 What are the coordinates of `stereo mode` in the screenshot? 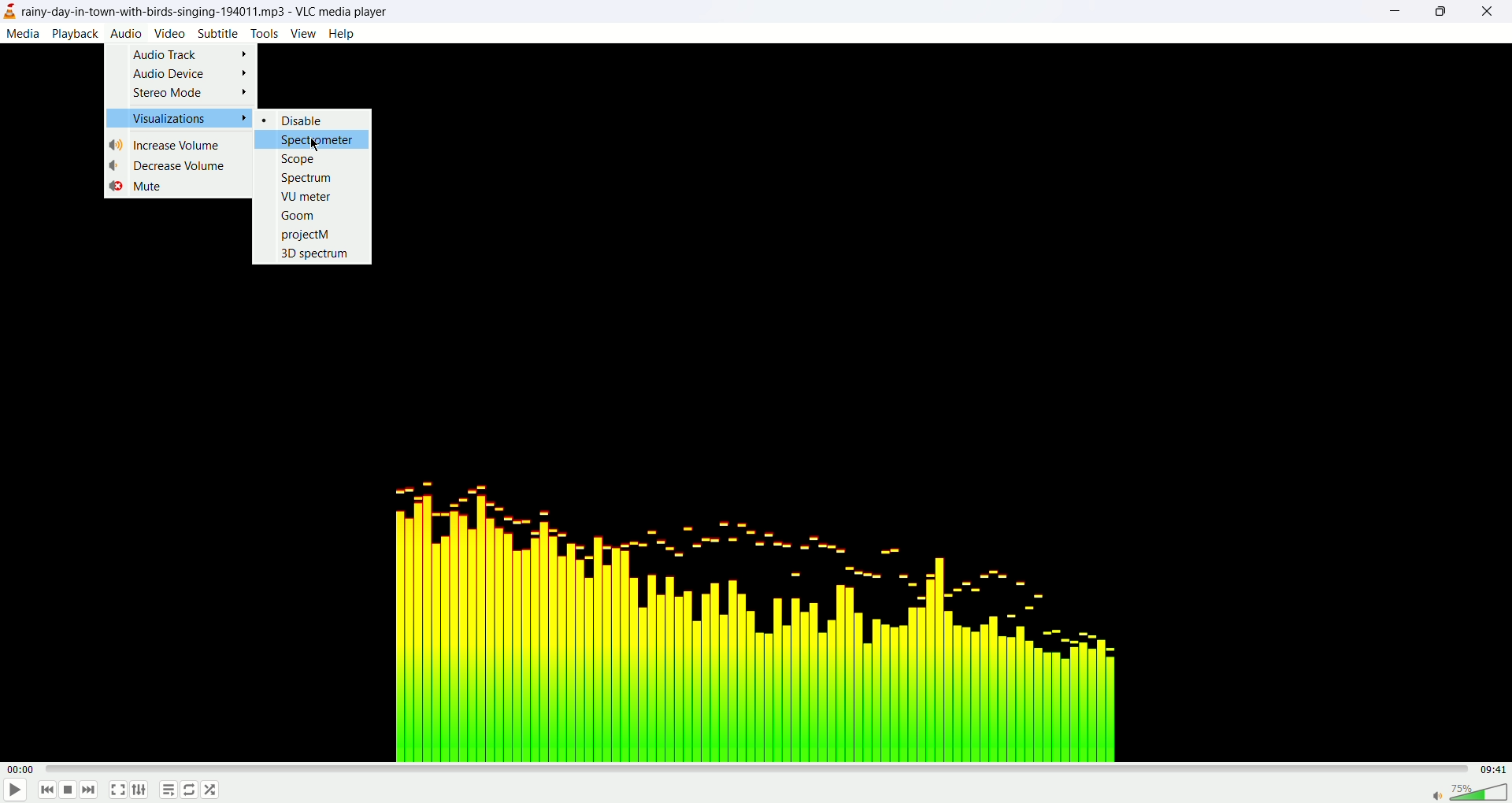 It's located at (186, 94).